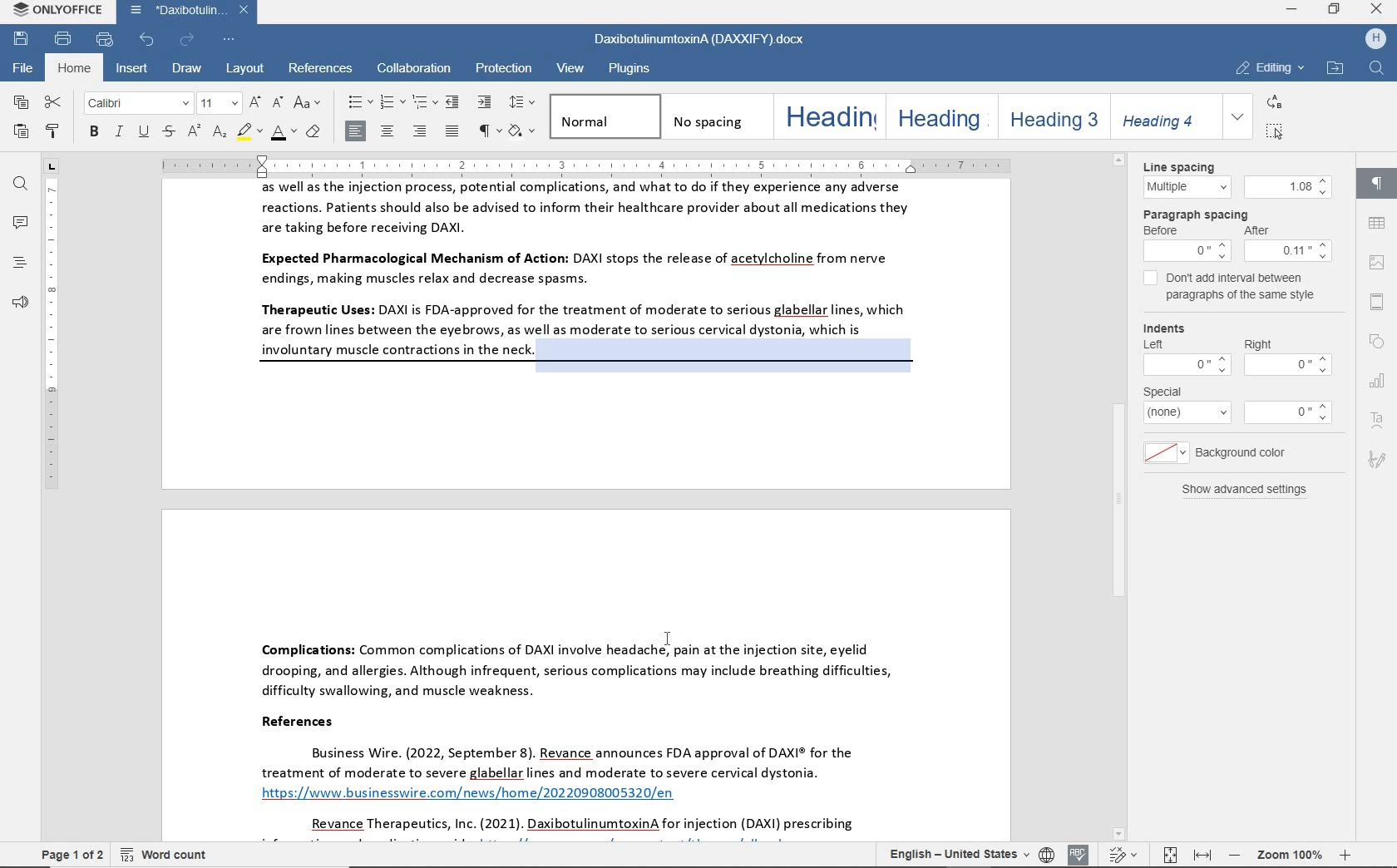  Describe the element at coordinates (1222, 451) in the screenshot. I see `background color` at that location.